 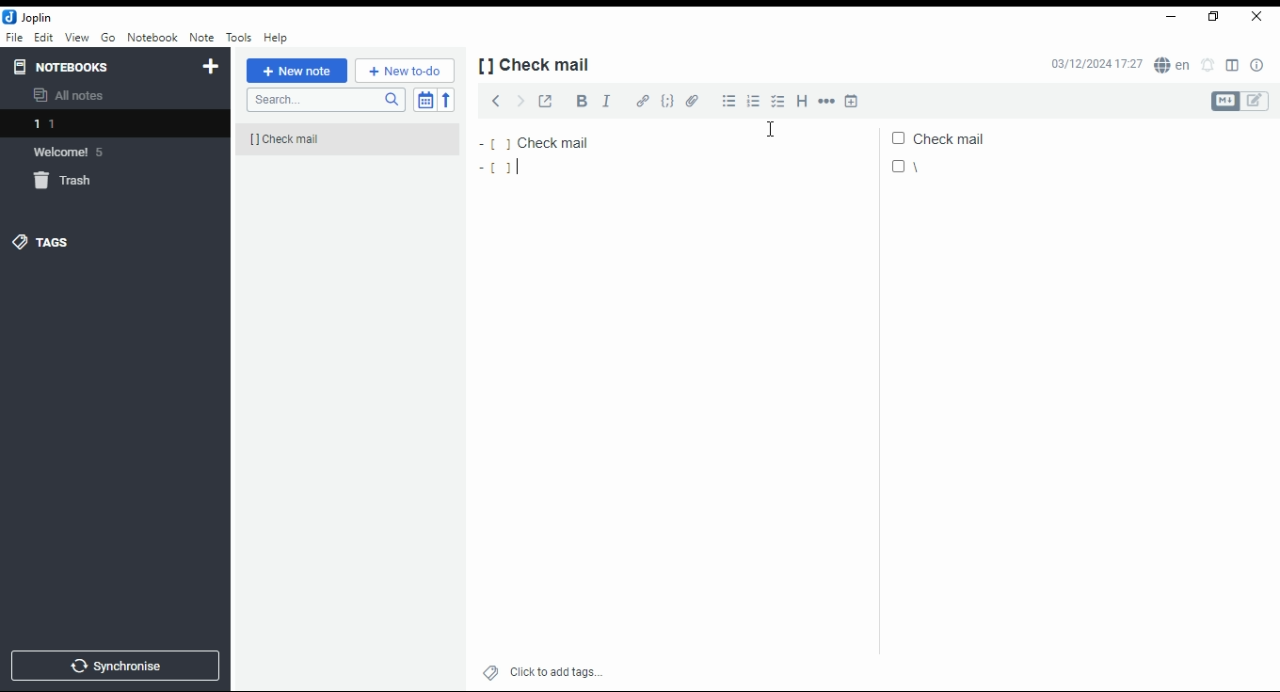 What do you see at coordinates (153, 37) in the screenshot?
I see `notebook` at bounding box center [153, 37].